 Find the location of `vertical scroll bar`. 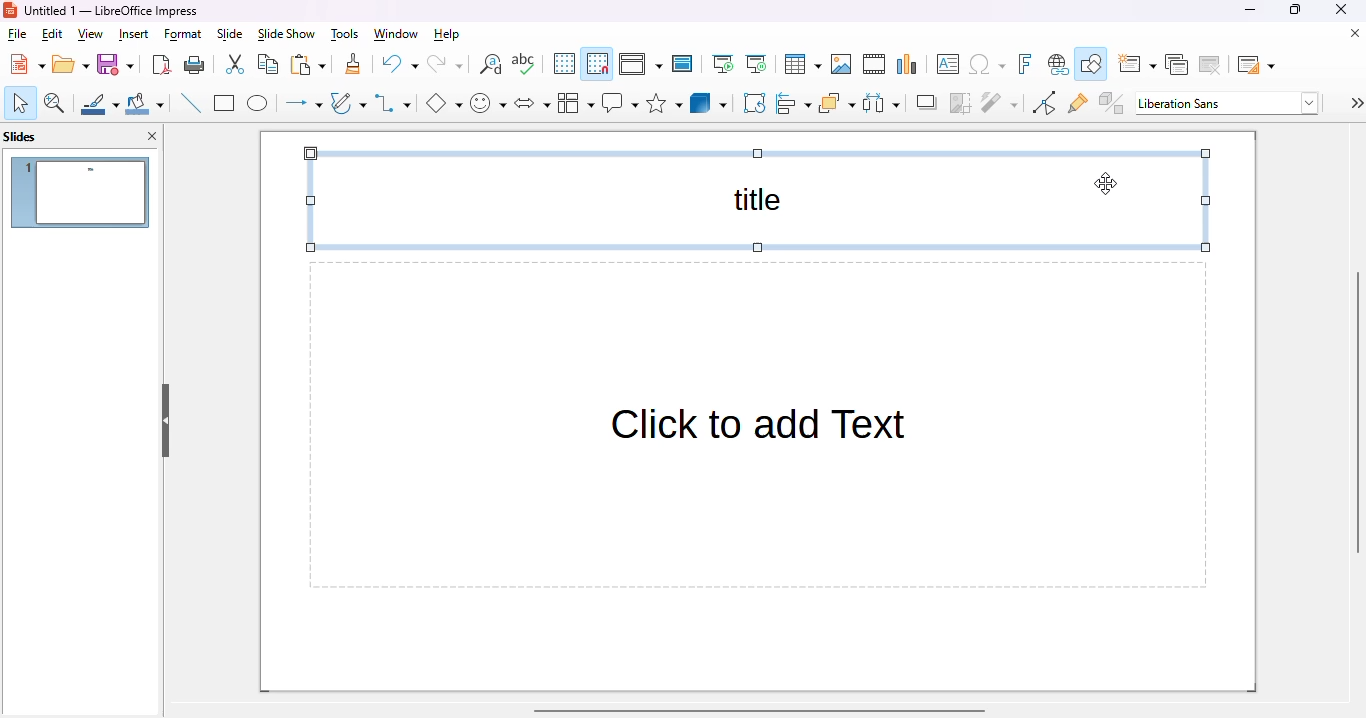

vertical scroll bar is located at coordinates (1357, 412).